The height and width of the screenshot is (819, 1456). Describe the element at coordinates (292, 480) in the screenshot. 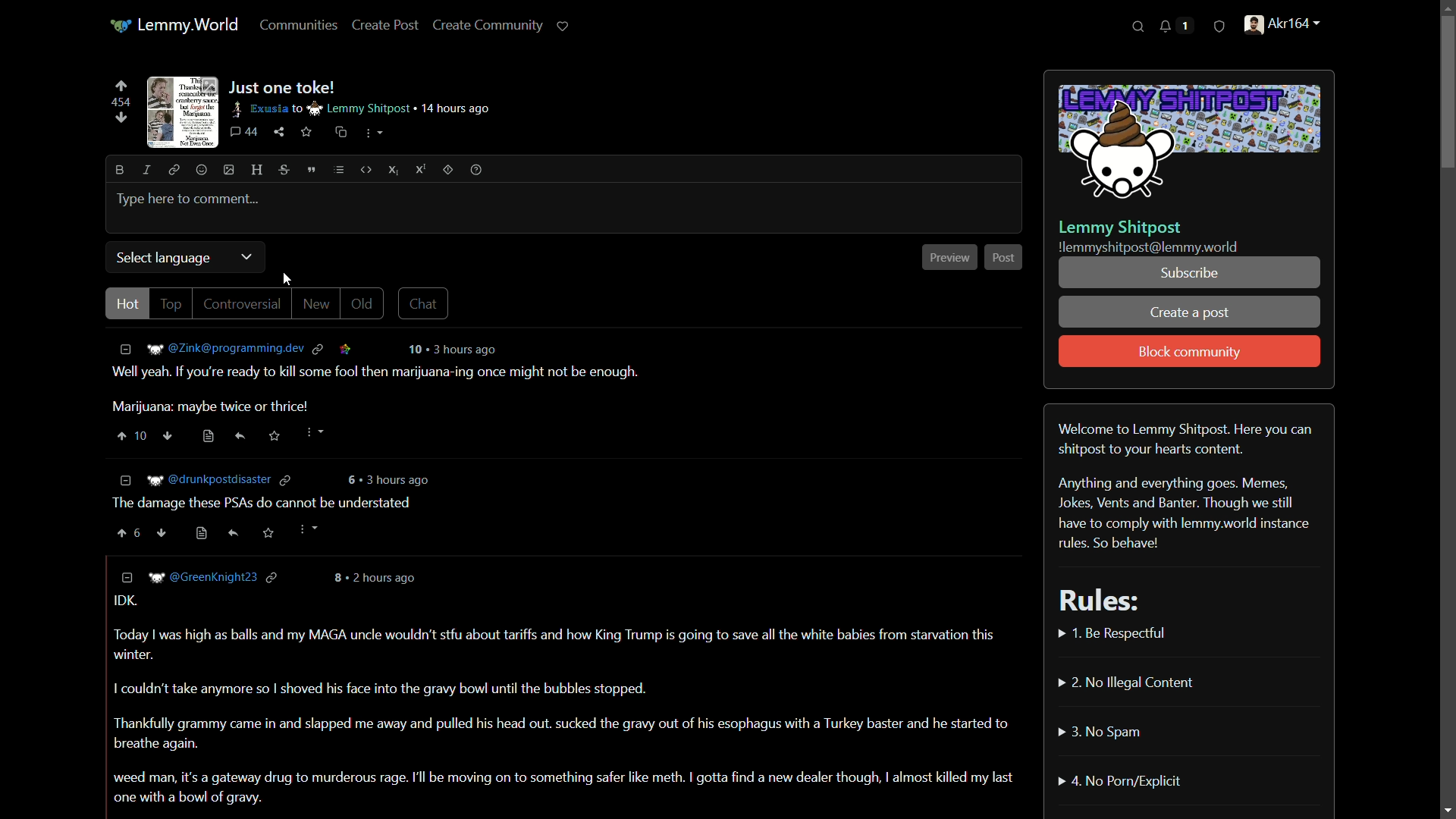

I see `link` at that location.